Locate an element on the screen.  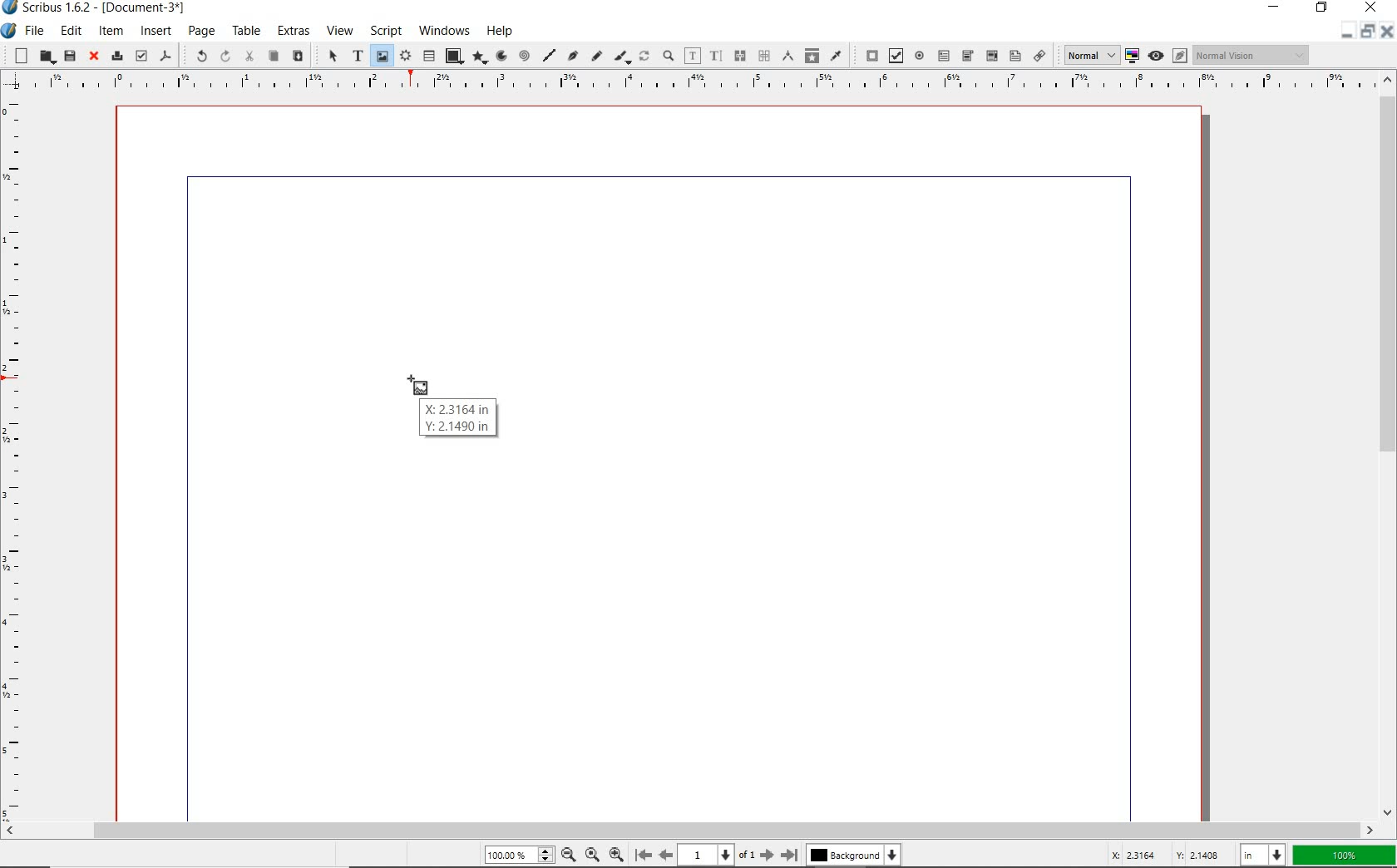
current page is located at coordinates (717, 856).